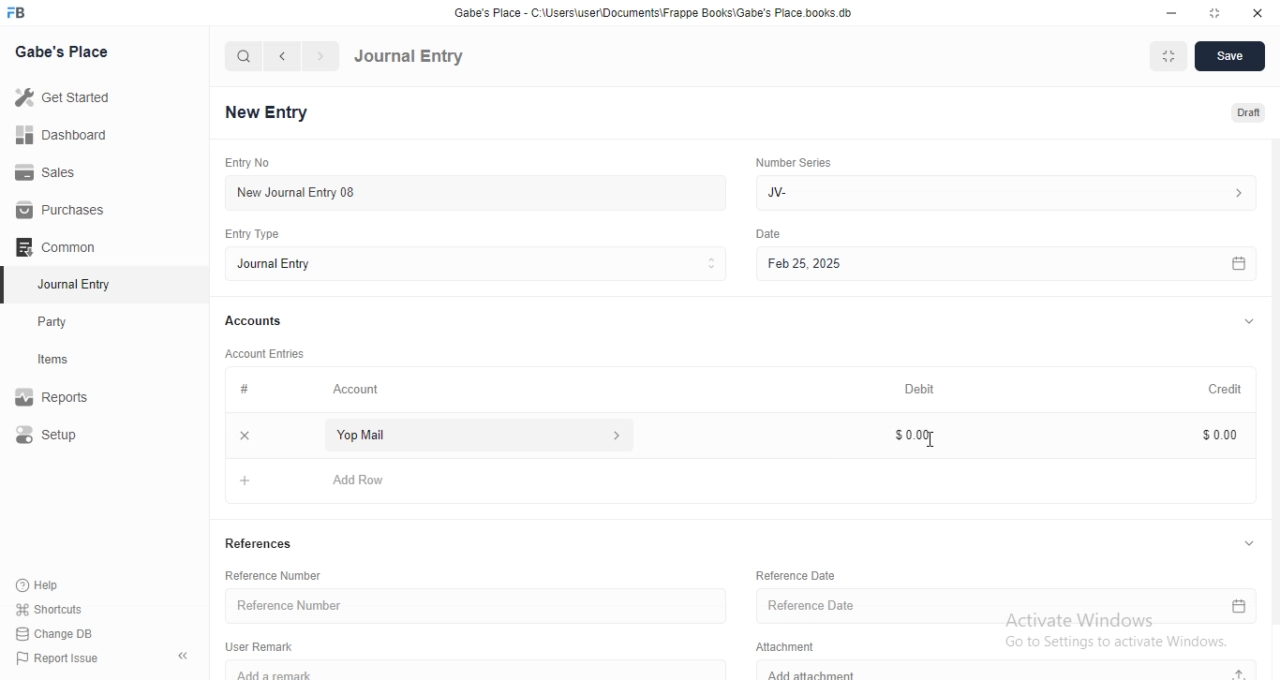 This screenshot has height=680, width=1280. Describe the element at coordinates (1174, 11) in the screenshot. I see `minimize` at that location.